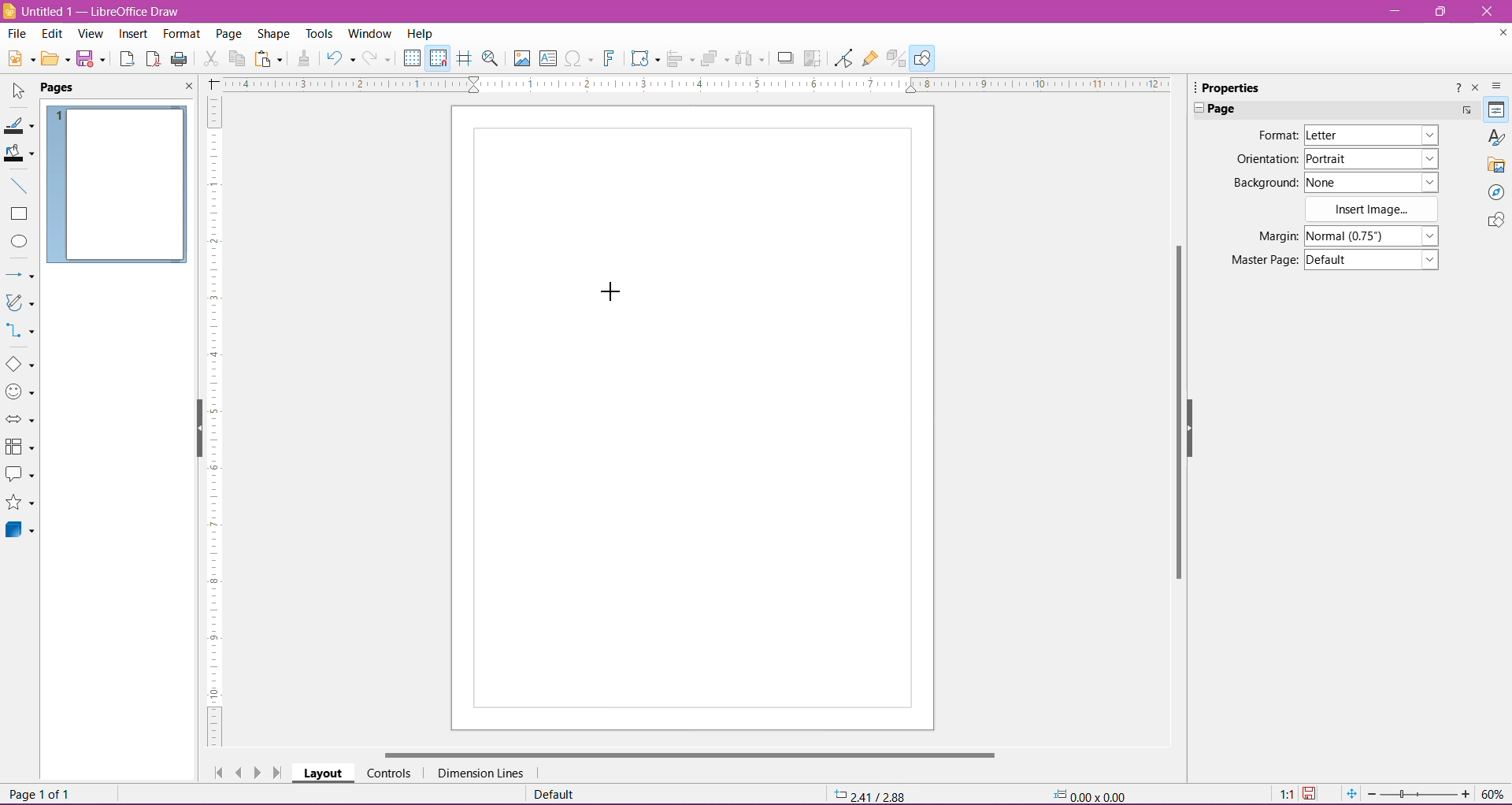 The image size is (1512, 805). What do you see at coordinates (215, 769) in the screenshot?
I see `Scroll to first page` at bounding box center [215, 769].